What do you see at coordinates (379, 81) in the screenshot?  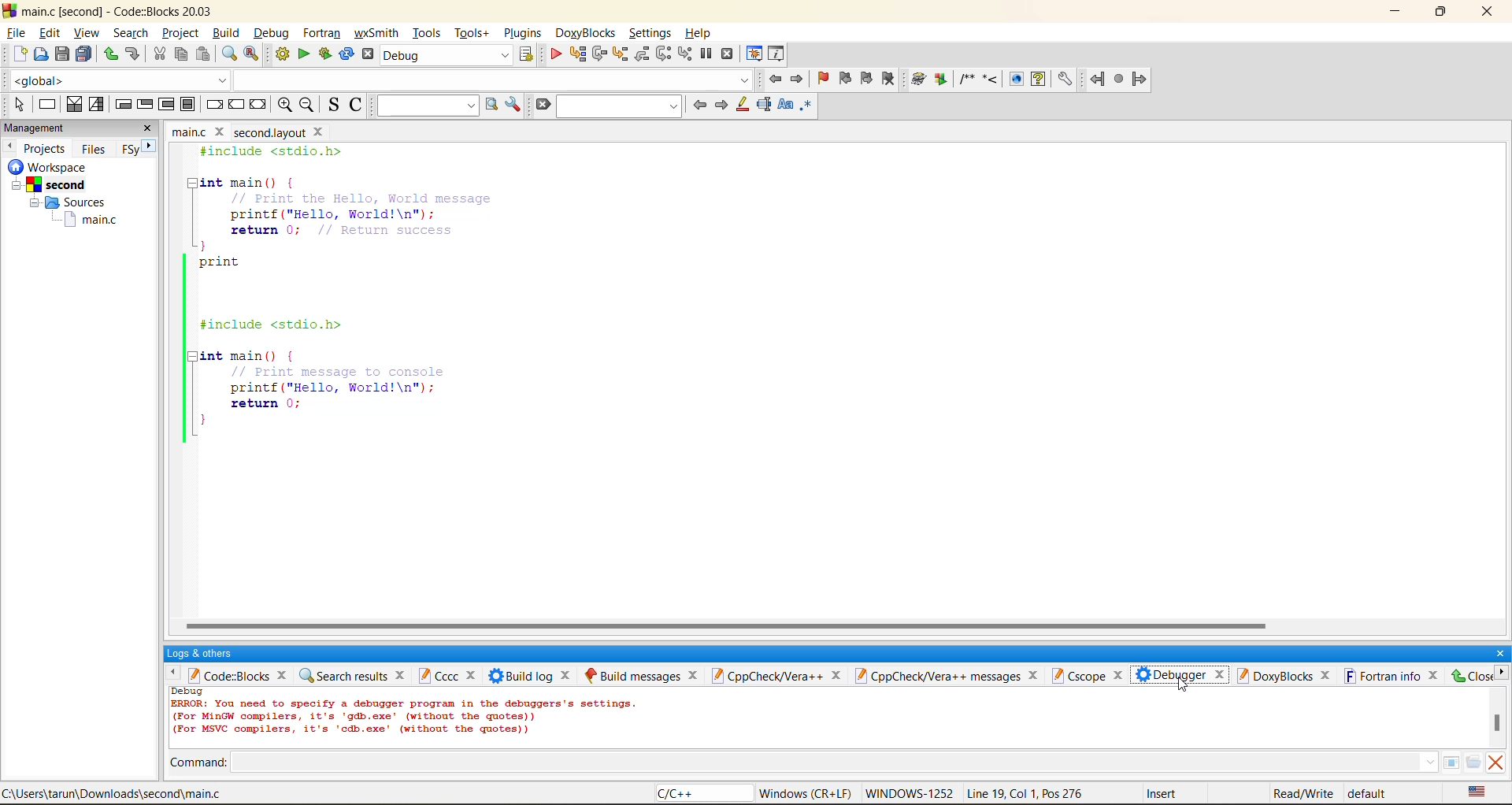 I see `code completion  compiler` at bounding box center [379, 81].